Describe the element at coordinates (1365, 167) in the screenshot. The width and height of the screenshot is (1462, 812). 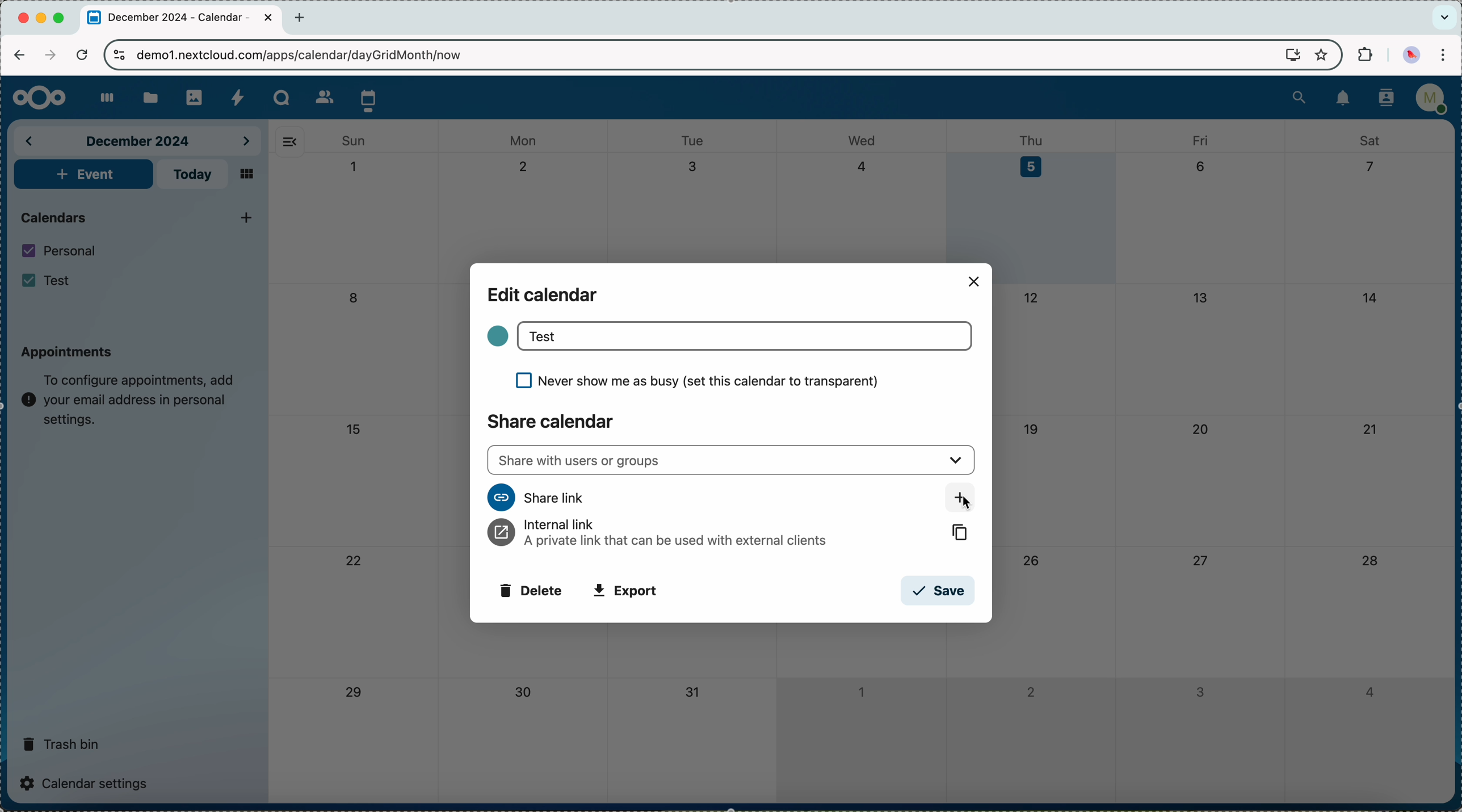
I see `7` at that location.